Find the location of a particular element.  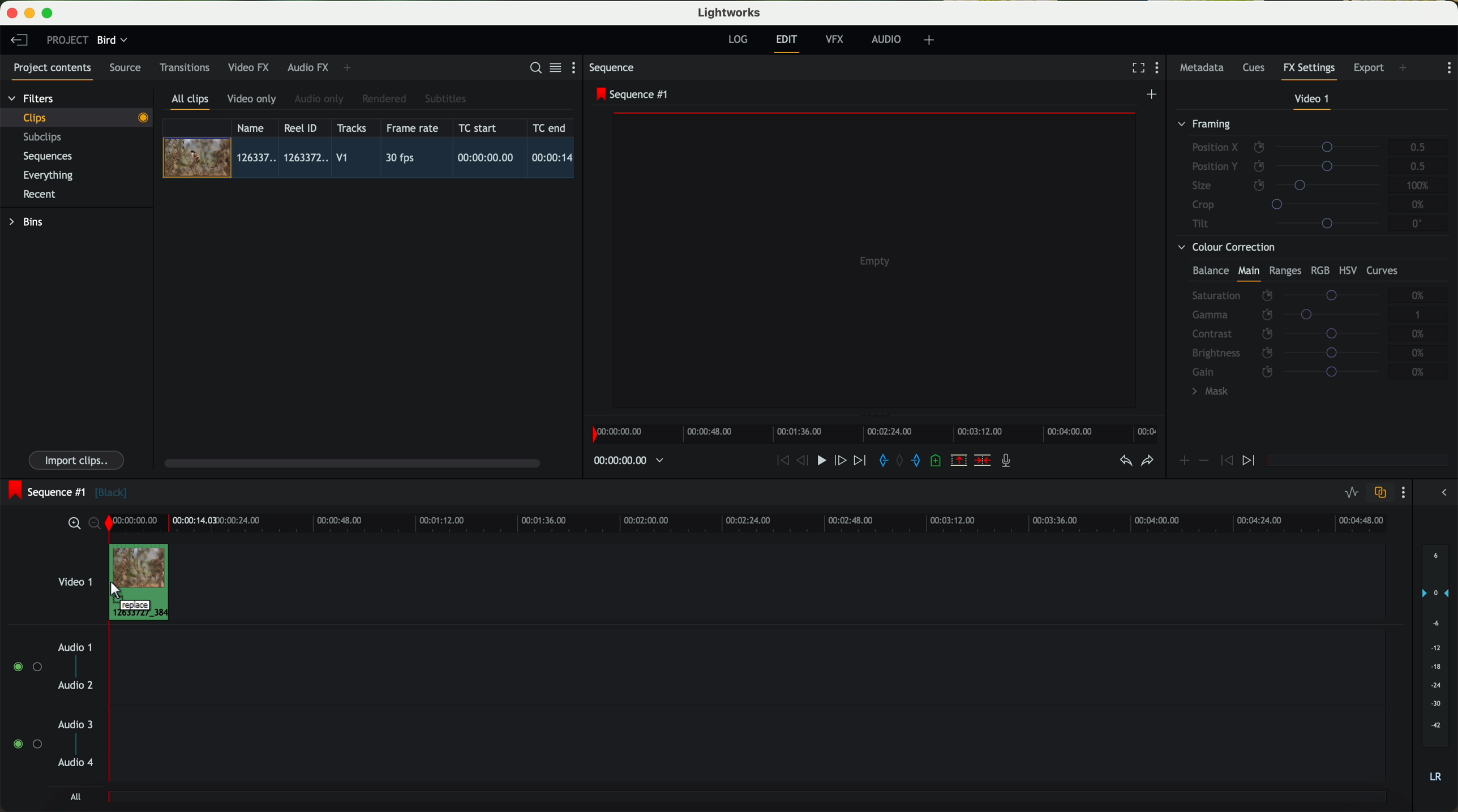

import clips is located at coordinates (78, 459).